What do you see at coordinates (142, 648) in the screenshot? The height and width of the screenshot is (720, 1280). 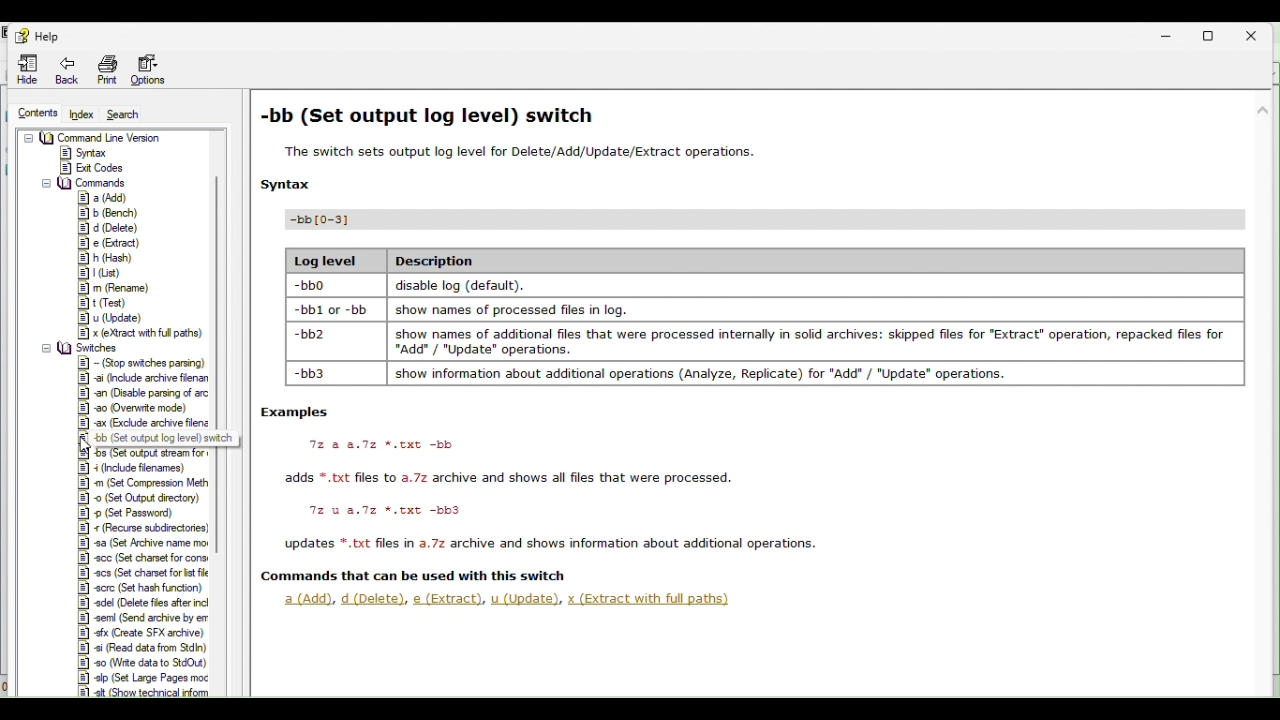 I see `§] «i (Read data from Stdin)` at bounding box center [142, 648].